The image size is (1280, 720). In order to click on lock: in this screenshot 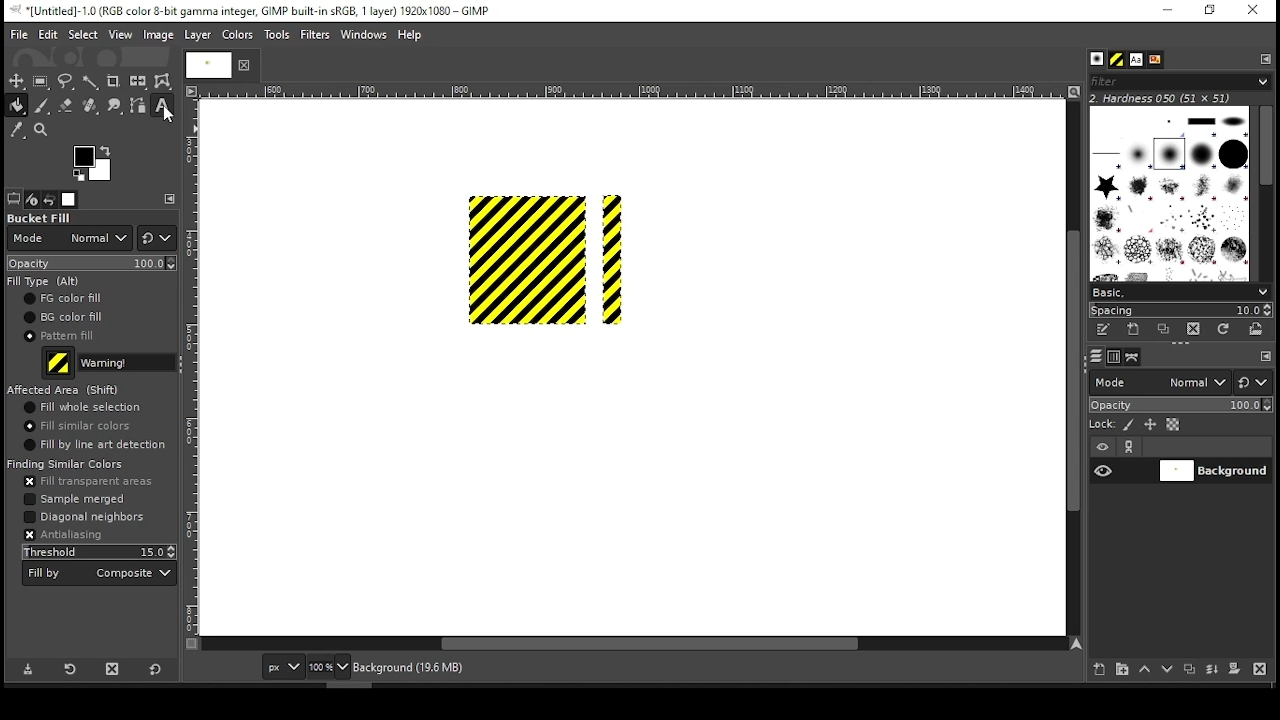, I will do `click(1103, 426)`.